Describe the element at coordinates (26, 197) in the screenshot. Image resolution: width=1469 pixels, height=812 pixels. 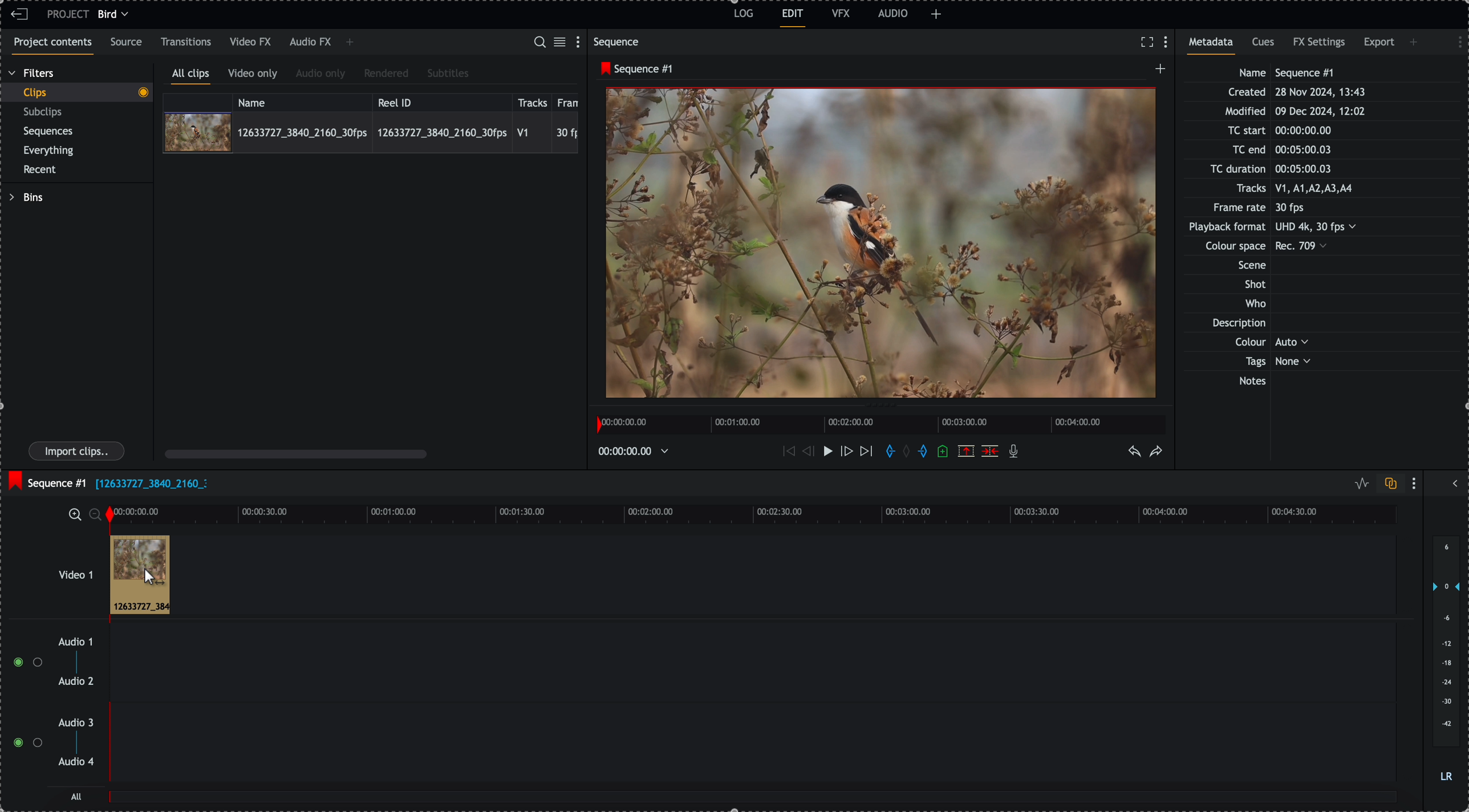
I see `bins` at that location.